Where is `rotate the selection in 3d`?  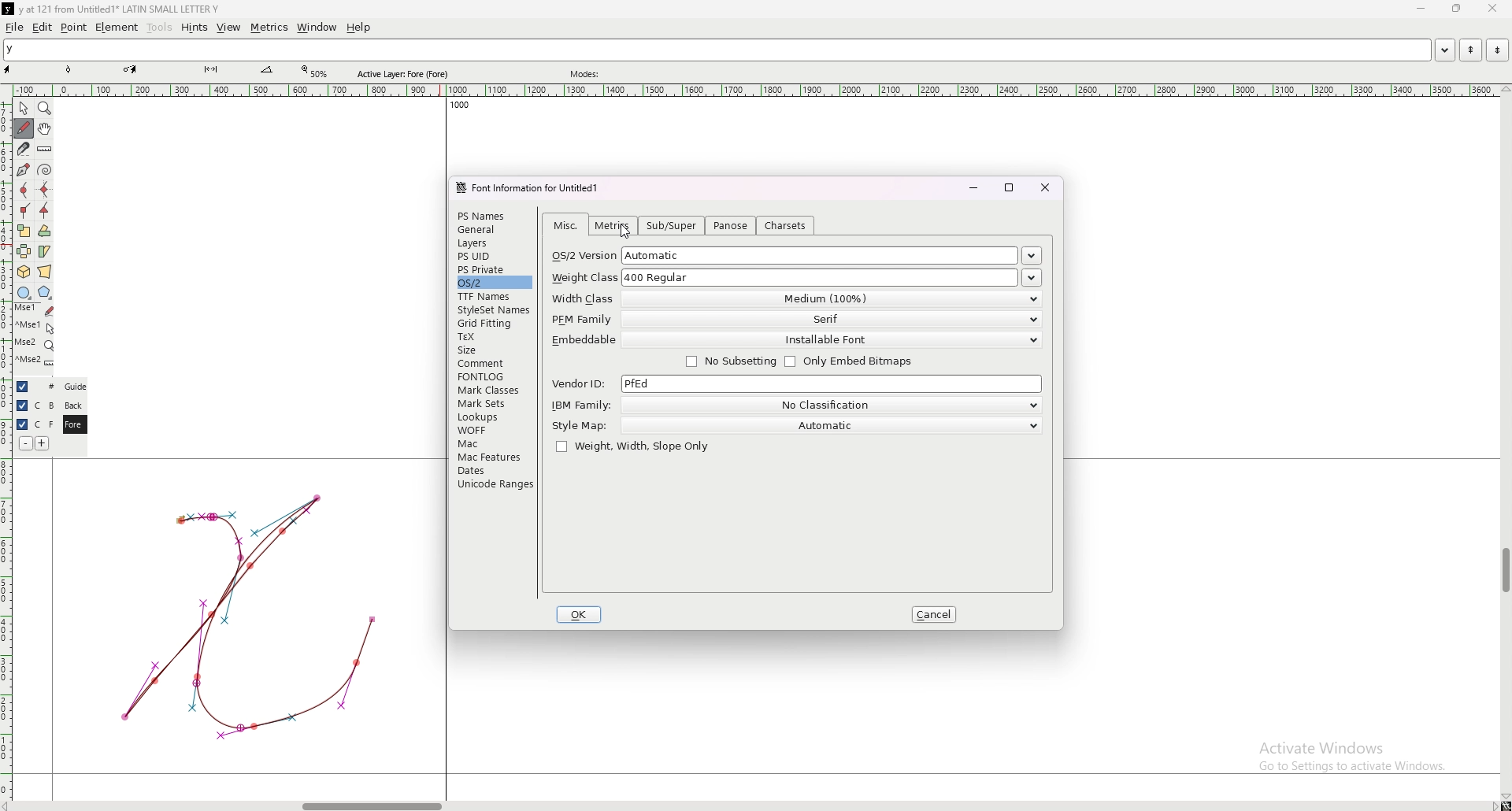 rotate the selection in 3d is located at coordinates (24, 272).